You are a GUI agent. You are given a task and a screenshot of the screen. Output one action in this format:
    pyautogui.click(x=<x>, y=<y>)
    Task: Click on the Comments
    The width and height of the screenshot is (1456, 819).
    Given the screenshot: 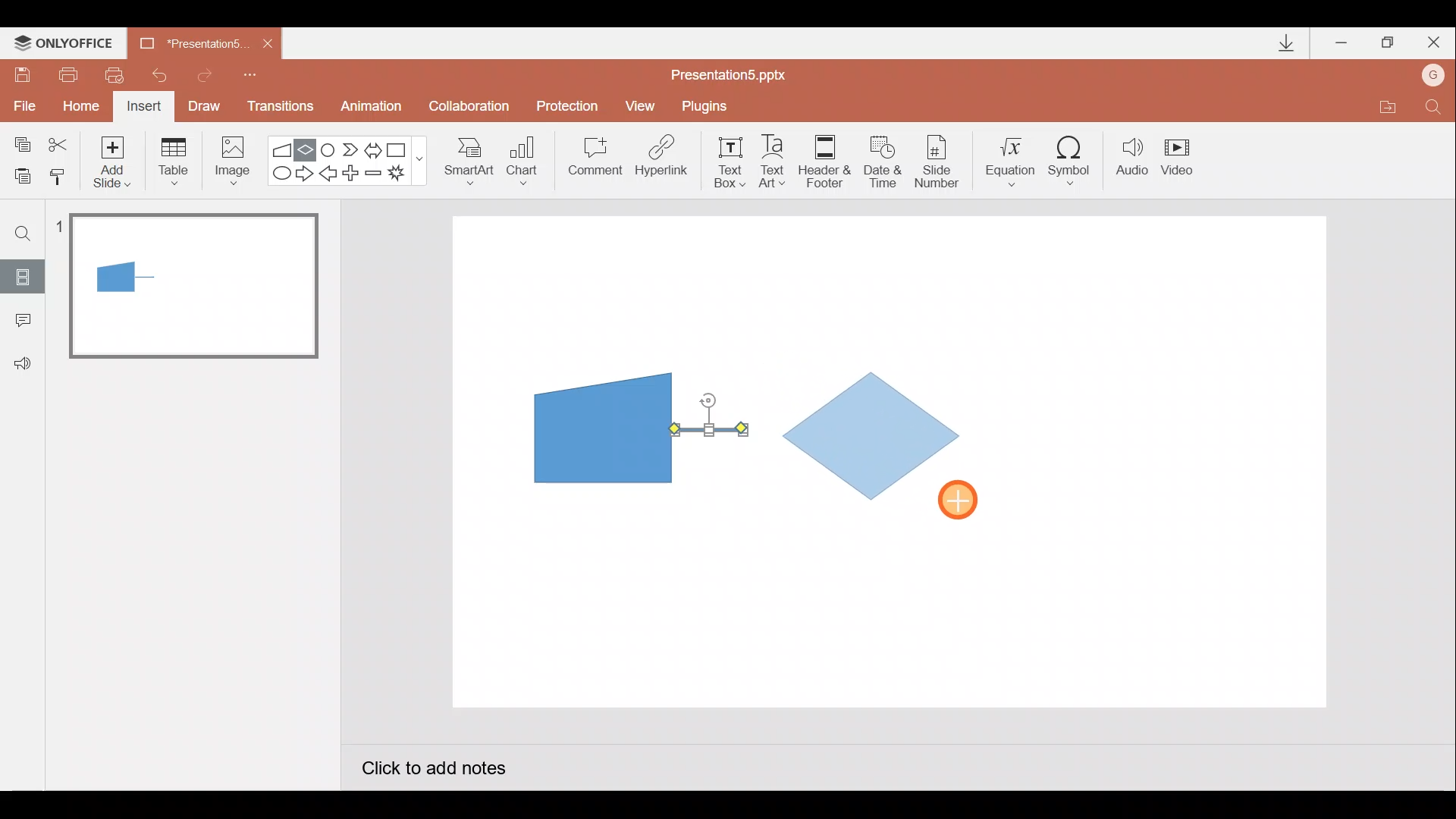 What is the action you would take?
    pyautogui.click(x=19, y=322)
    